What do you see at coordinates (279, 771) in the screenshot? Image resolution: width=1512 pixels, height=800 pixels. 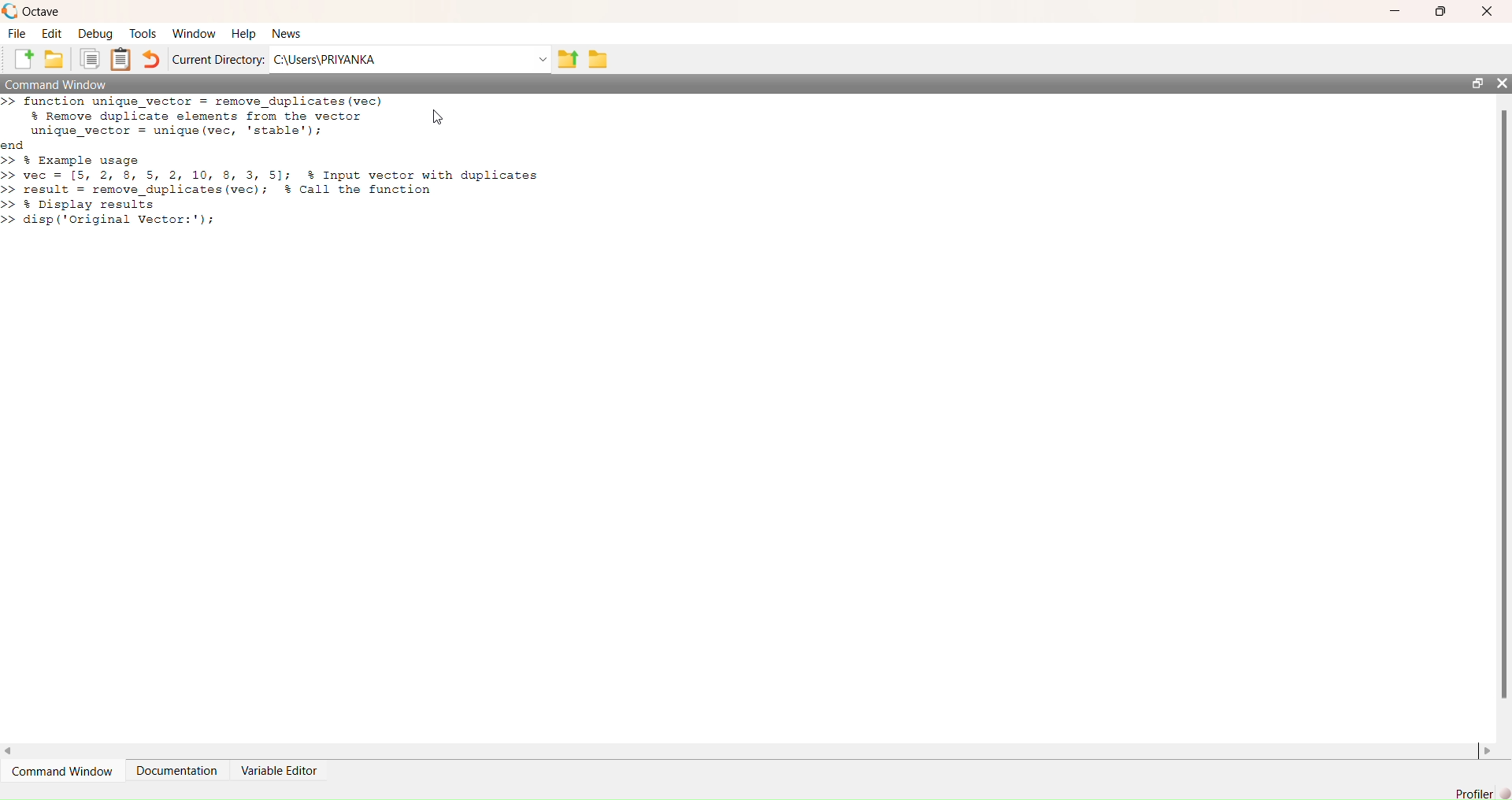 I see `Variable Editor` at bounding box center [279, 771].